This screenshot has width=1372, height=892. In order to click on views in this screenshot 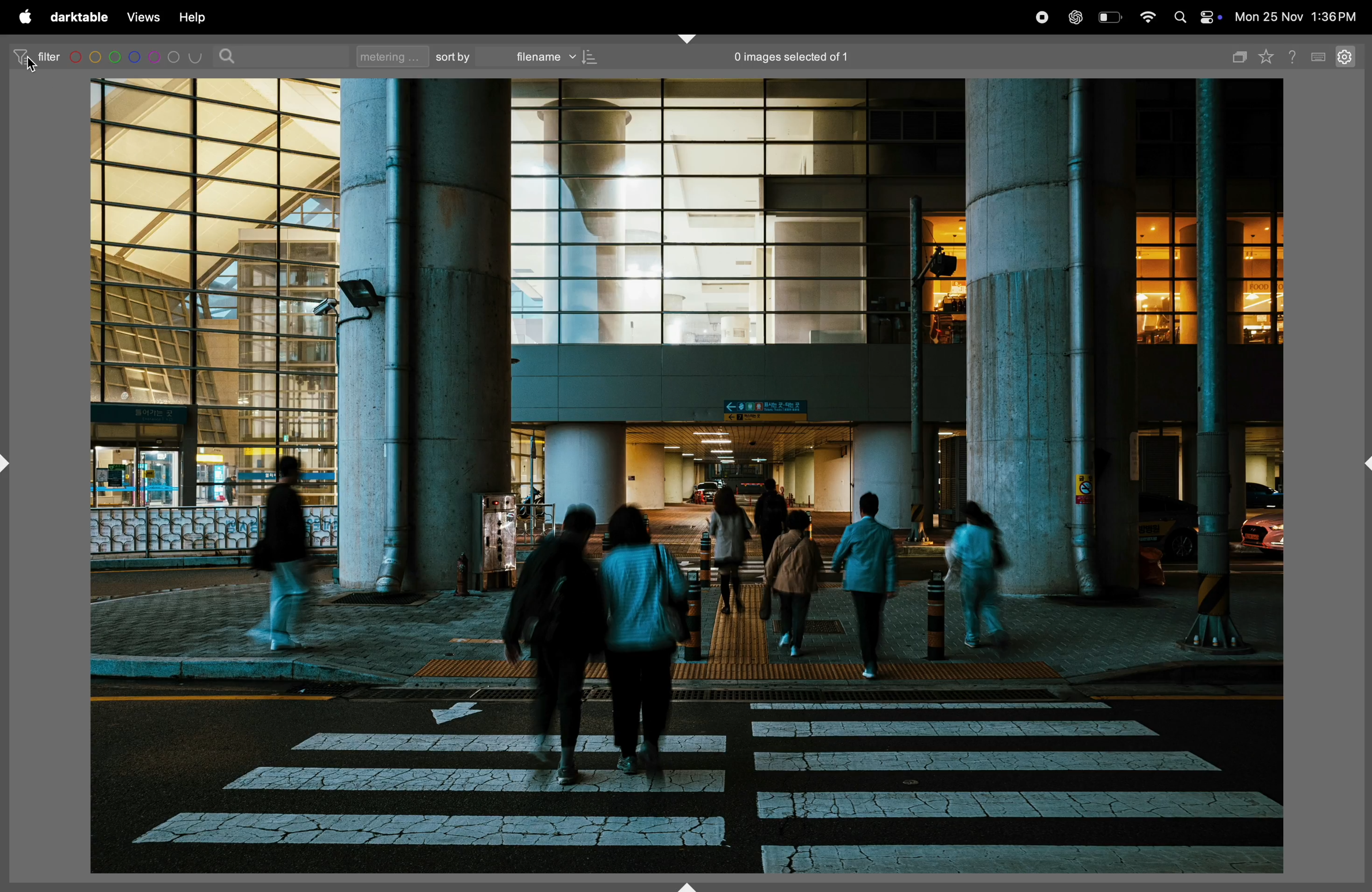, I will do `click(144, 16)`.